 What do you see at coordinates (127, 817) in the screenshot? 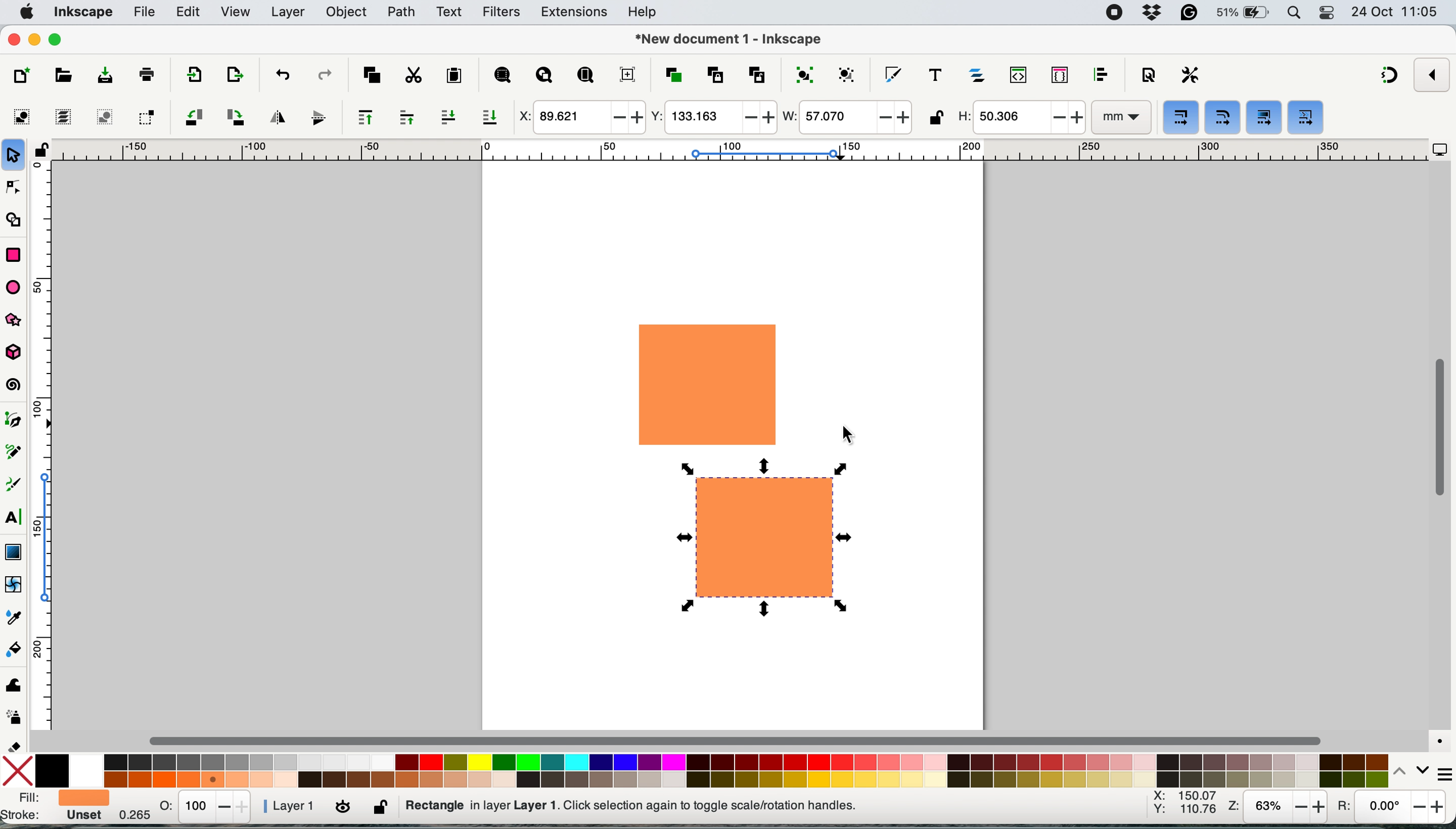
I see `0.265` at bounding box center [127, 817].